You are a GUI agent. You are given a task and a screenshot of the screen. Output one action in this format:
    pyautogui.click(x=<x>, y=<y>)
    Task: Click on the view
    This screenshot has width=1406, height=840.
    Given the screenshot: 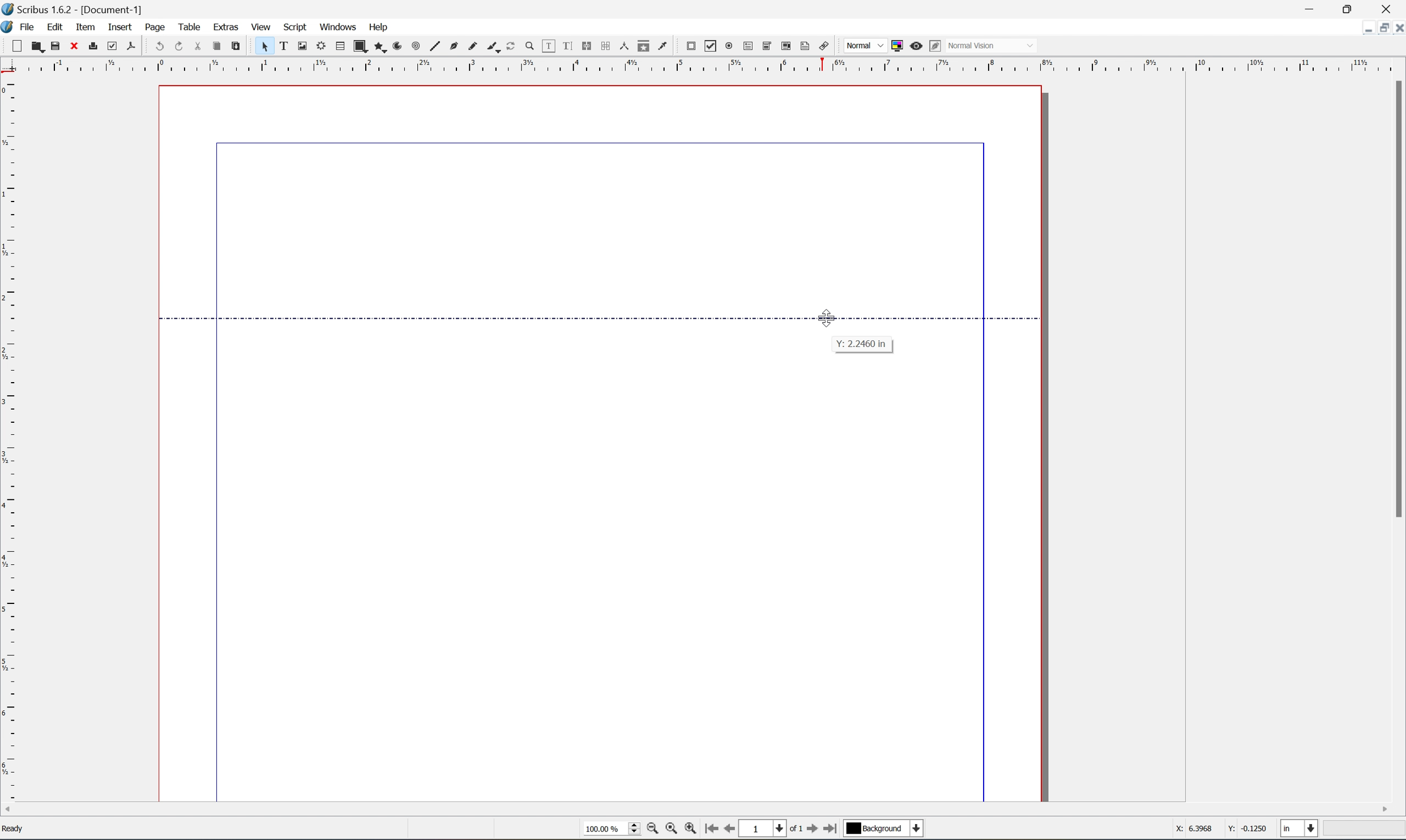 What is the action you would take?
    pyautogui.click(x=263, y=25)
    